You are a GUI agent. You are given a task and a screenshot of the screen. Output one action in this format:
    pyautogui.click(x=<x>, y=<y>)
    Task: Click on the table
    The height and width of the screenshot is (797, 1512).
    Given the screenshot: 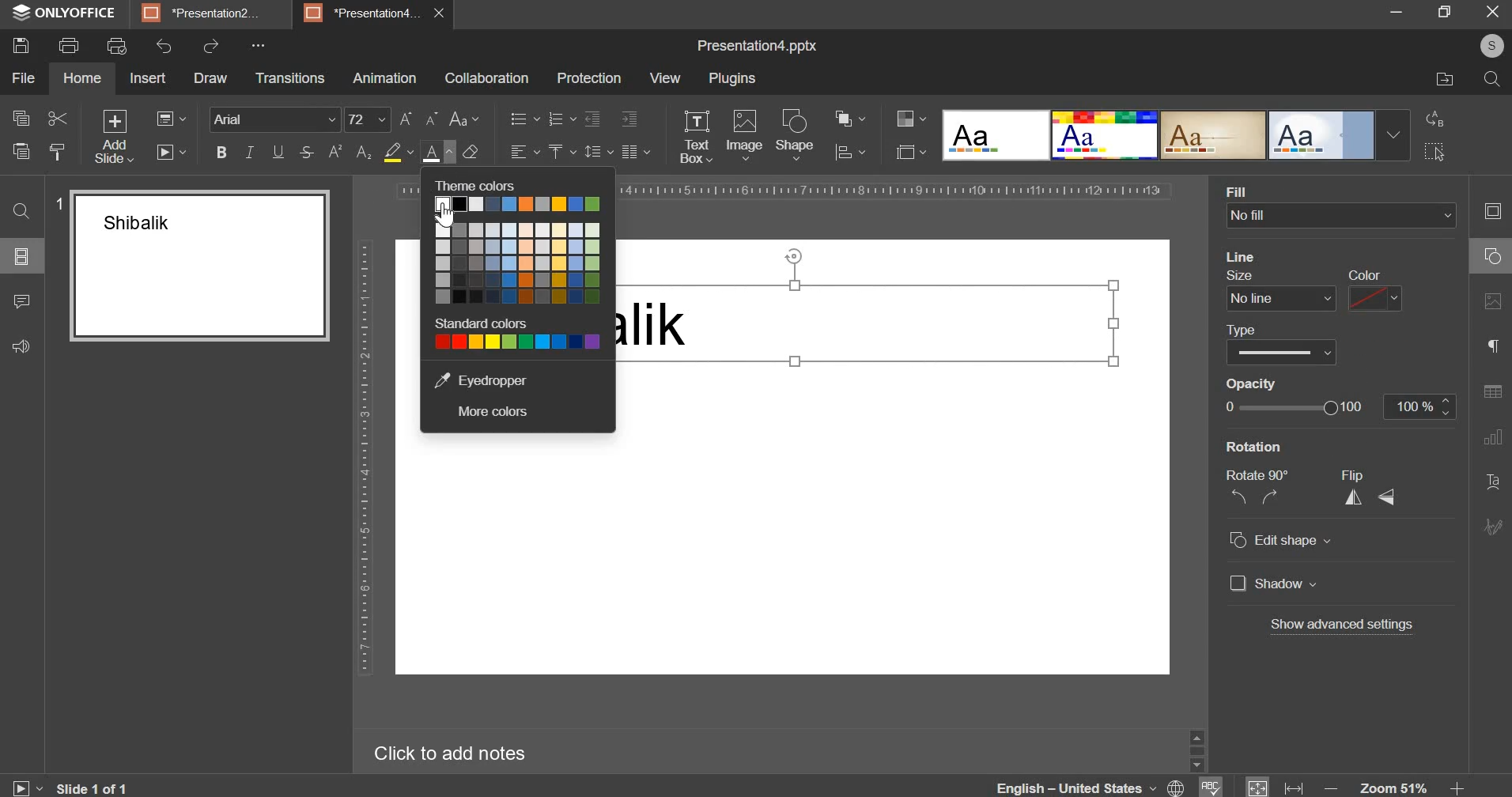 What is the action you would take?
    pyautogui.click(x=1492, y=396)
    